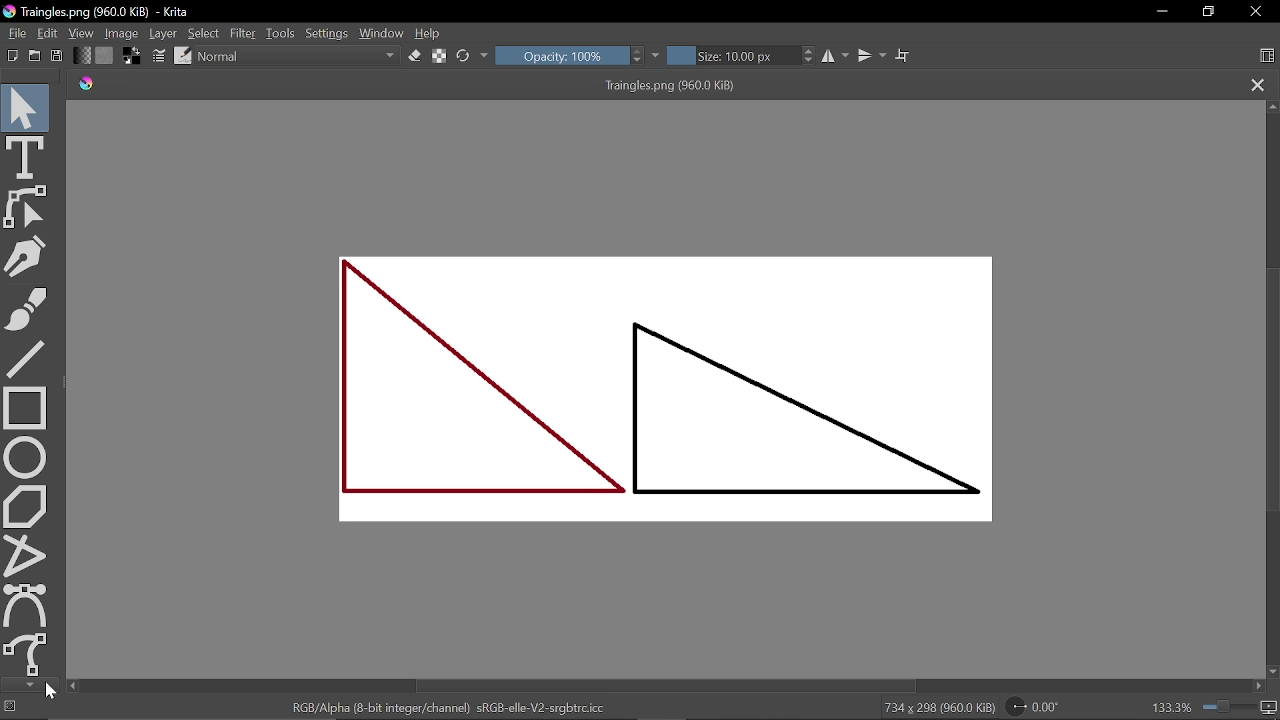 This screenshot has width=1280, height=720. Describe the element at coordinates (298, 57) in the screenshot. I see `Blending mode` at that location.